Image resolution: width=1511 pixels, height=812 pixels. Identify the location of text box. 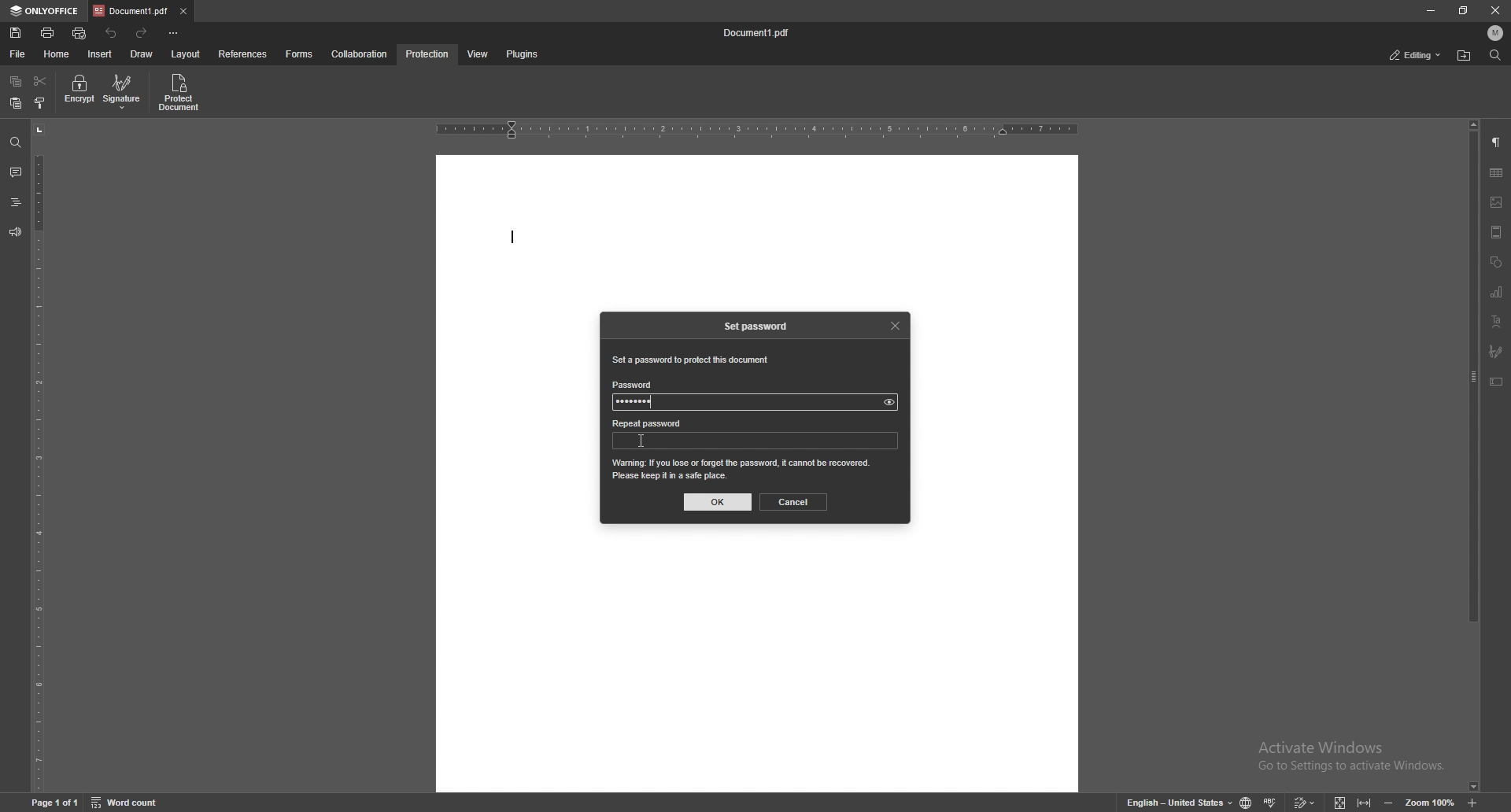
(1497, 382).